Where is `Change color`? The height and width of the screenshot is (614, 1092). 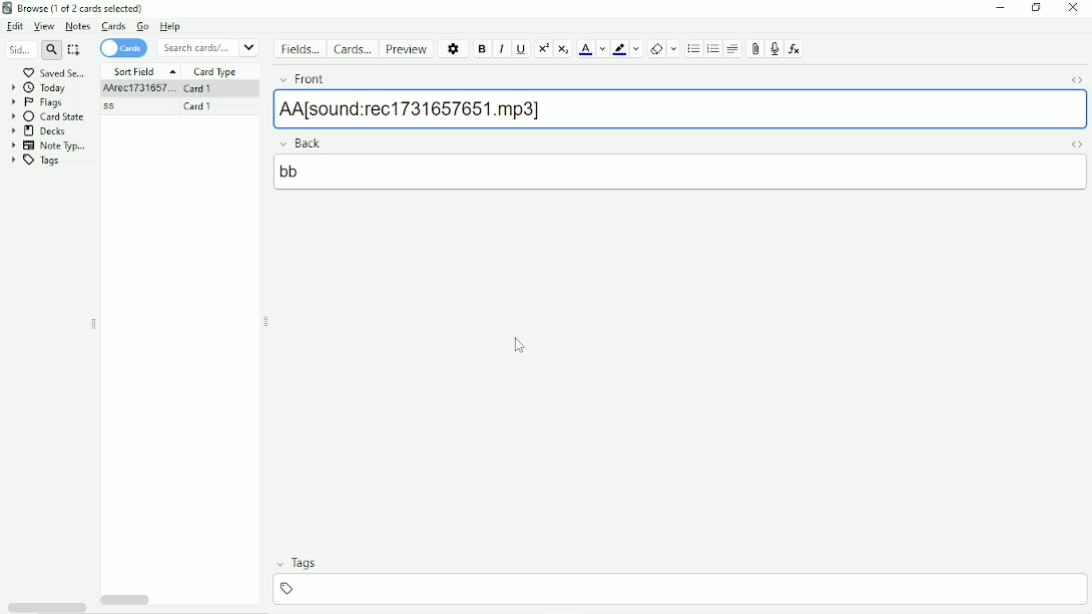
Change color is located at coordinates (603, 48).